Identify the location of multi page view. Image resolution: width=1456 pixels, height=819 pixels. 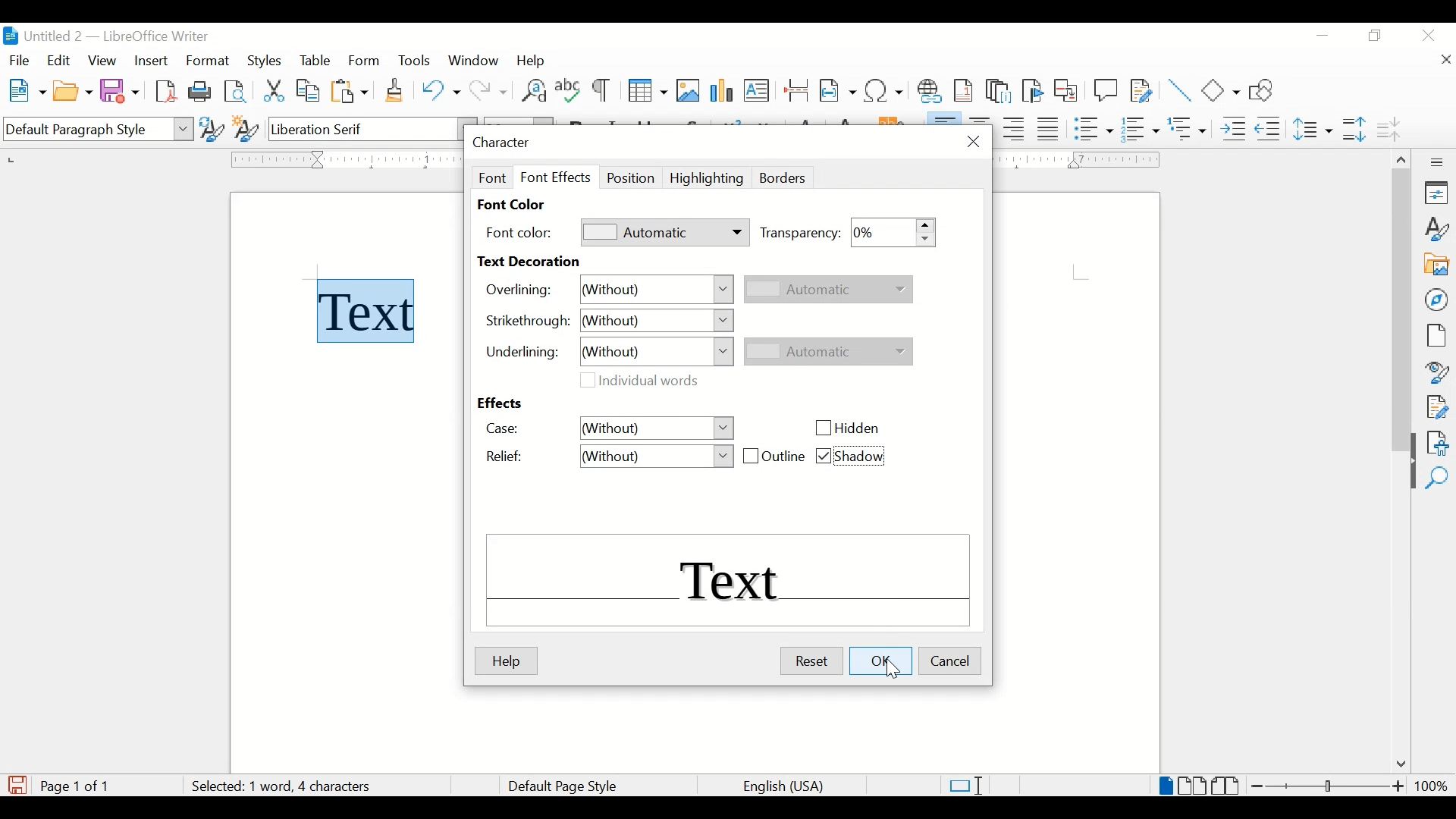
(1194, 786).